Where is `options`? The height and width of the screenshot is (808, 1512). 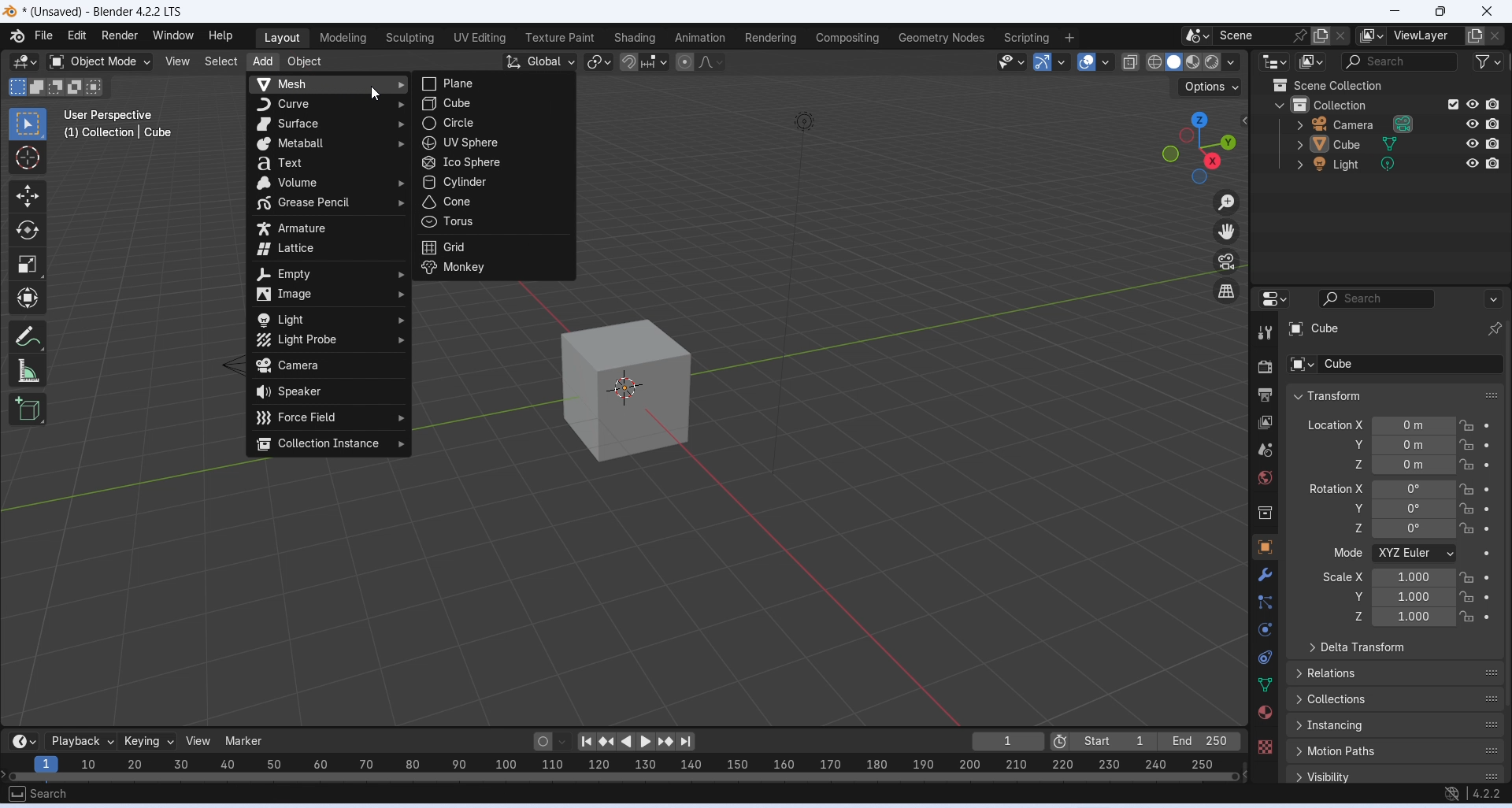 options is located at coordinates (1212, 87).